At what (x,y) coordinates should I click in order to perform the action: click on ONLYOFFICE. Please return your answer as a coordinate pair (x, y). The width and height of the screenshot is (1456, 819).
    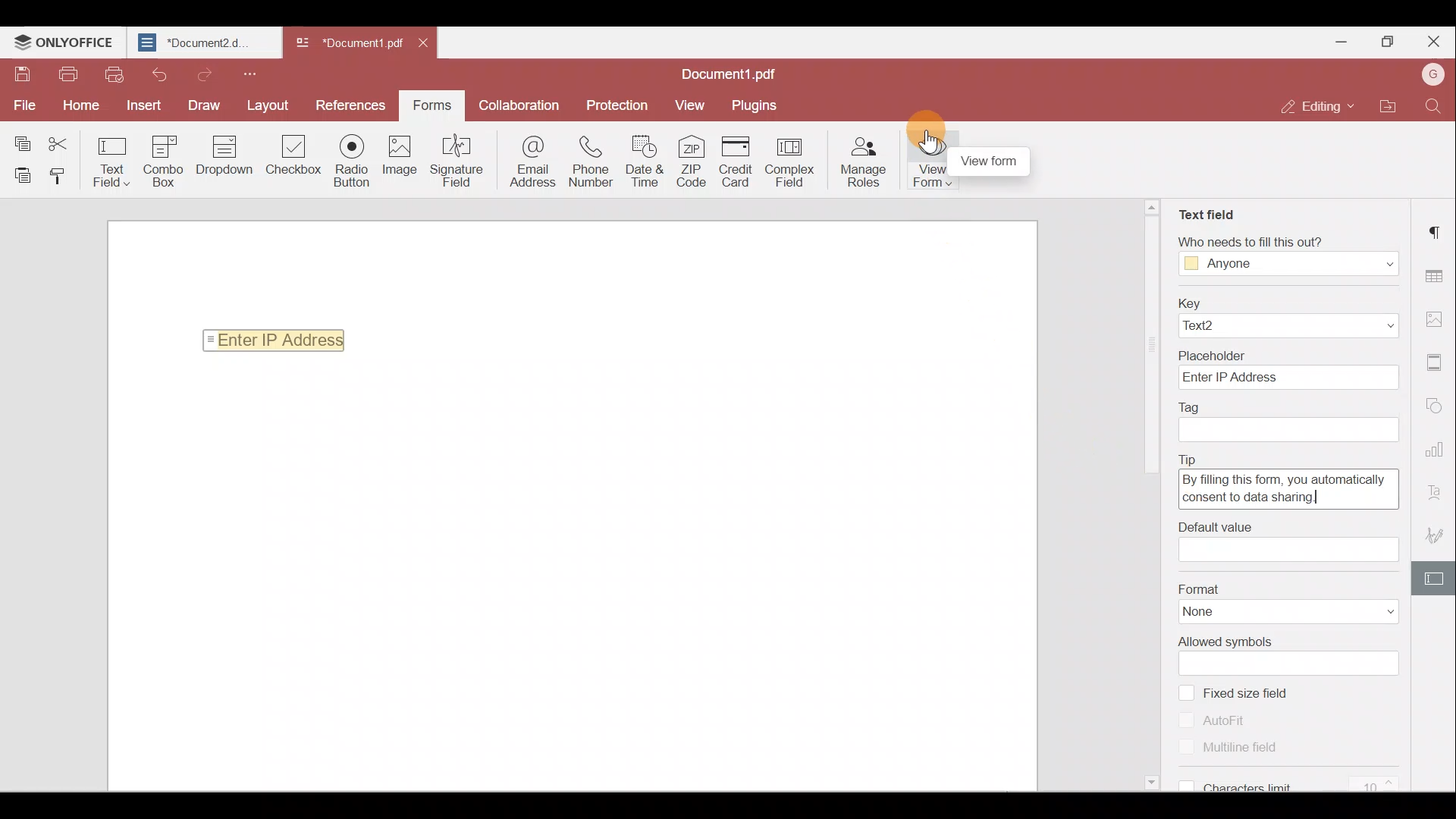
    Looking at the image, I should click on (64, 42).